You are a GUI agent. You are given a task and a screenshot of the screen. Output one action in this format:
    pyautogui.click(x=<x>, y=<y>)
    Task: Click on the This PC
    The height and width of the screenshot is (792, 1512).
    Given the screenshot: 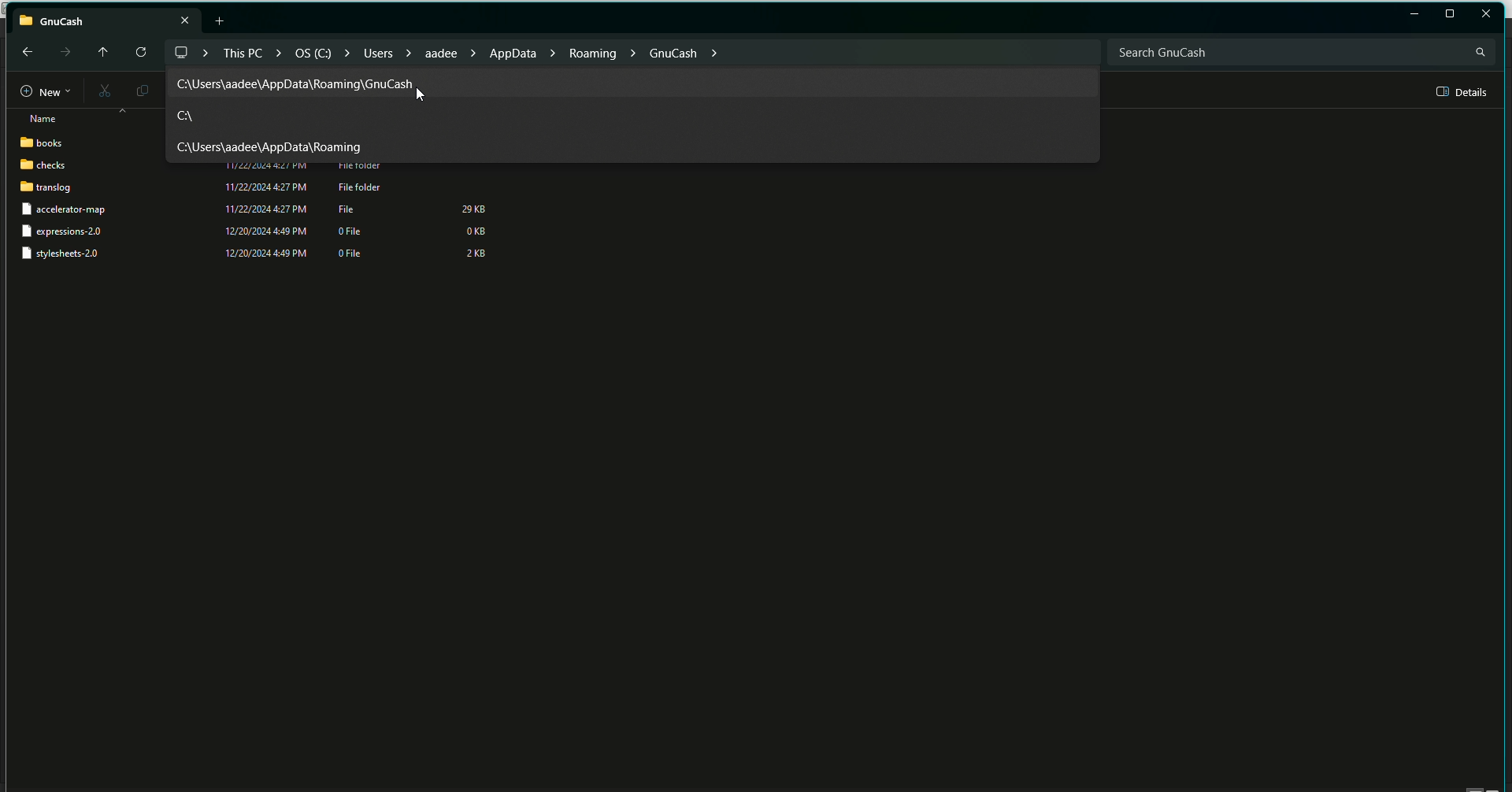 What is the action you would take?
    pyautogui.click(x=106, y=18)
    